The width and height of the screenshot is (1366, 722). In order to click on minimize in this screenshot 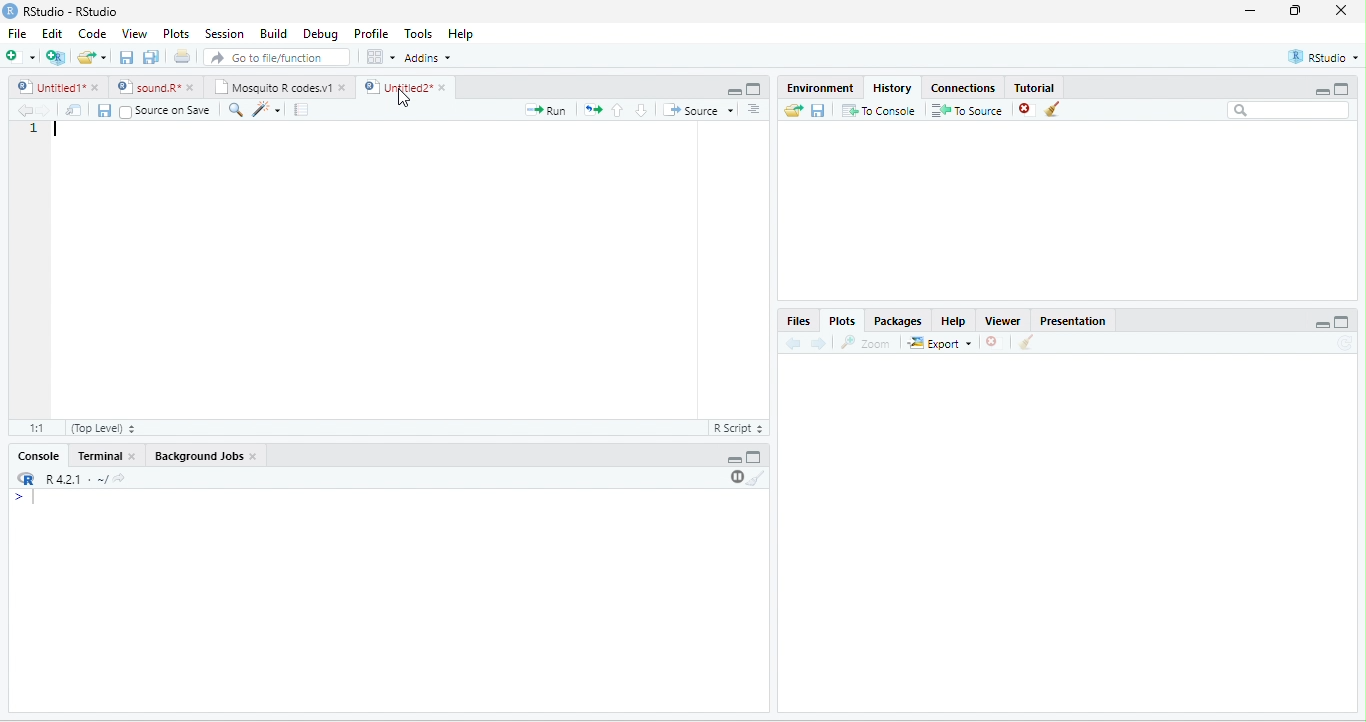, I will do `click(735, 460)`.